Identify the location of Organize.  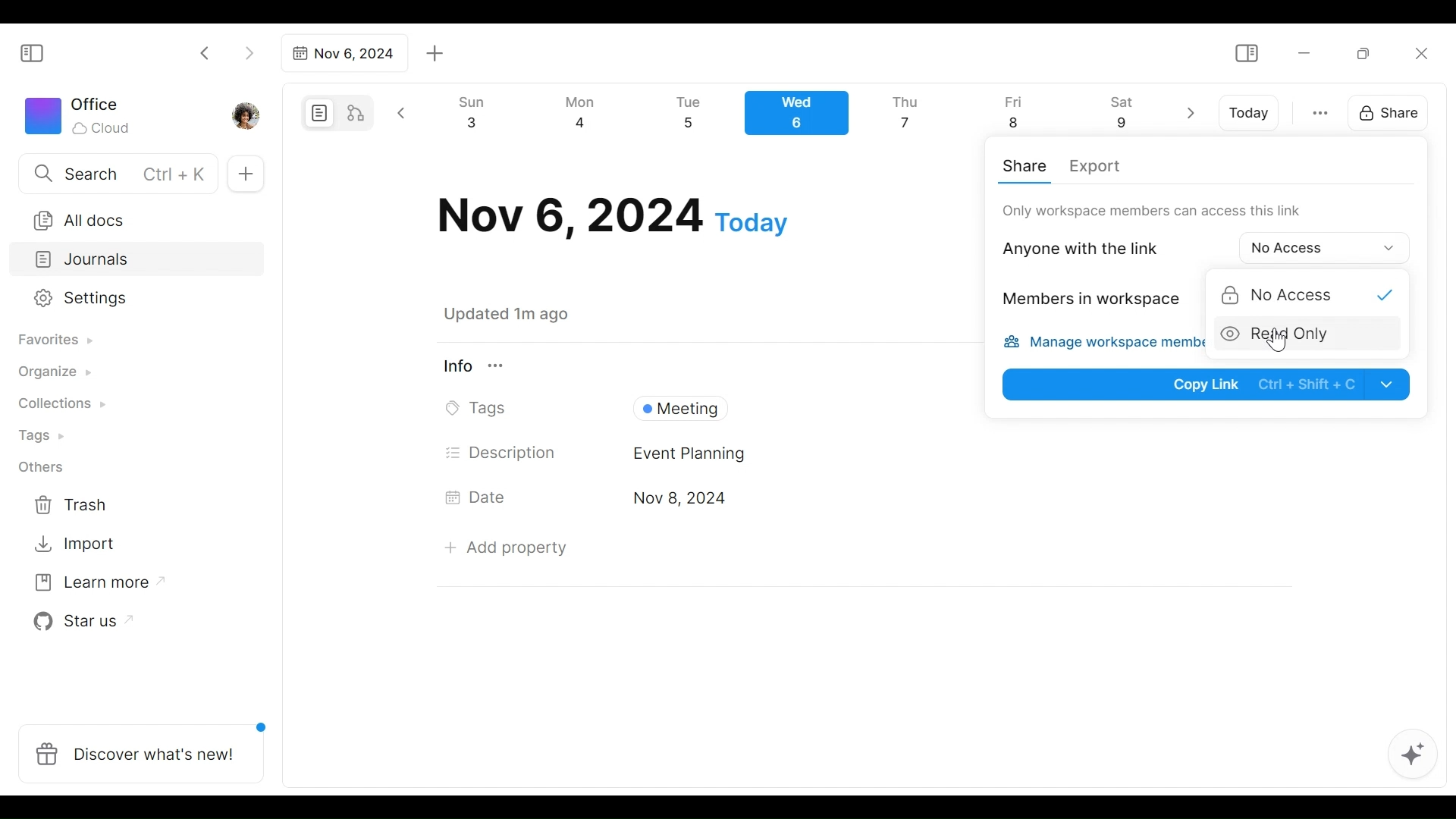
(53, 373).